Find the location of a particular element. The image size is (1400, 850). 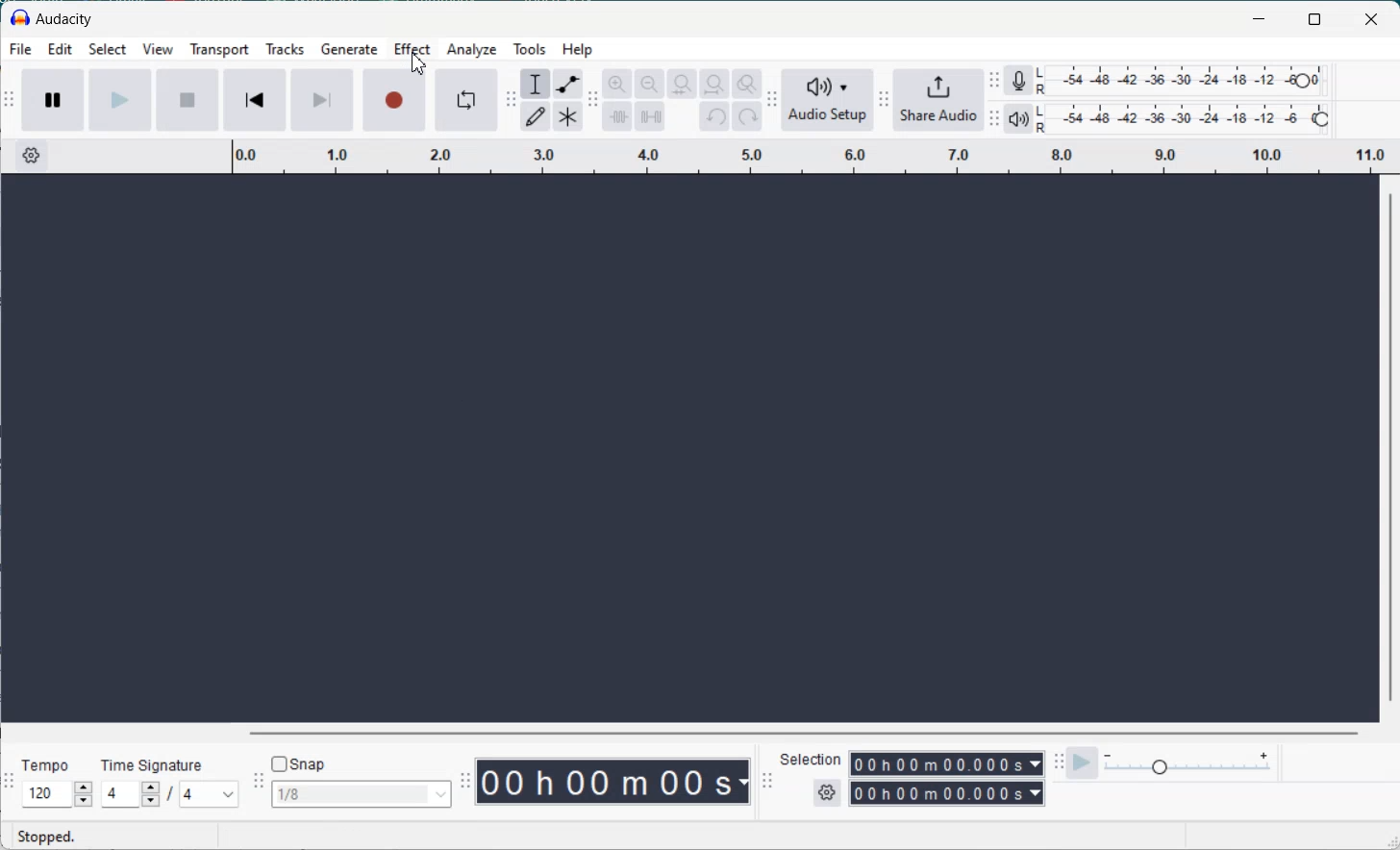

Zoom Out is located at coordinates (651, 84).